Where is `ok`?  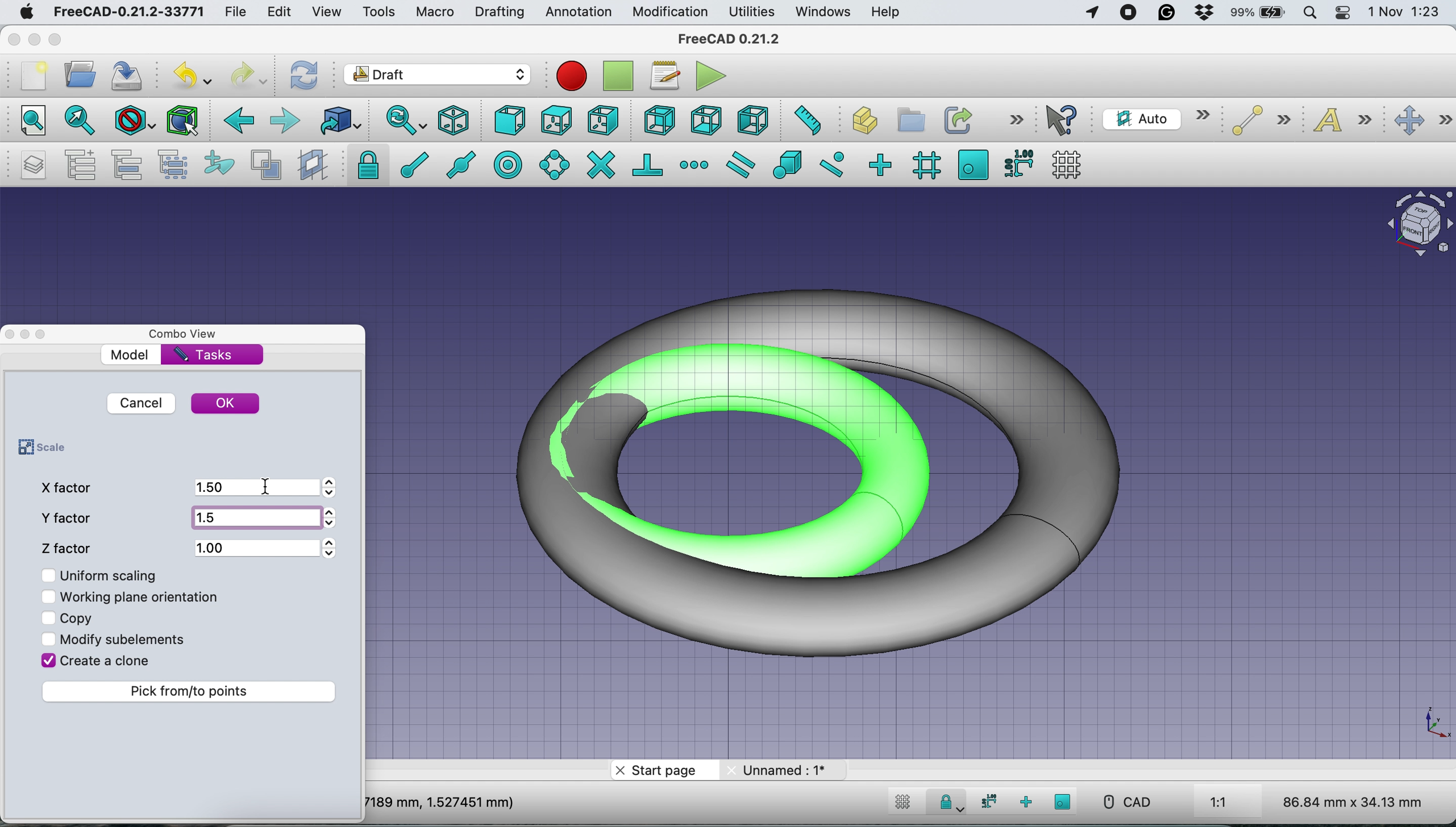
ok is located at coordinates (227, 404).